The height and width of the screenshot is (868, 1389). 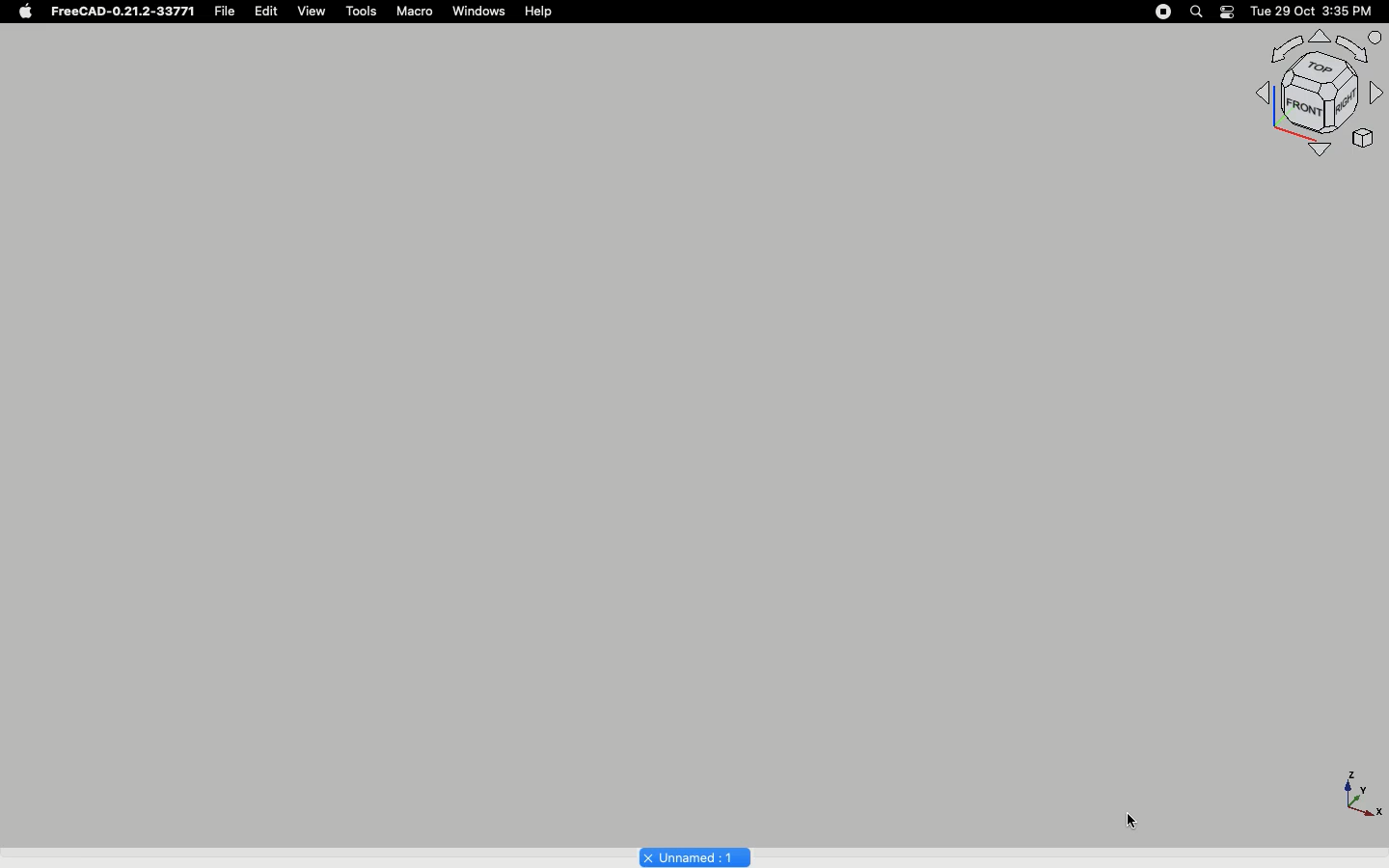 What do you see at coordinates (271, 12) in the screenshot?
I see `Edit` at bounding box center [271, 12].